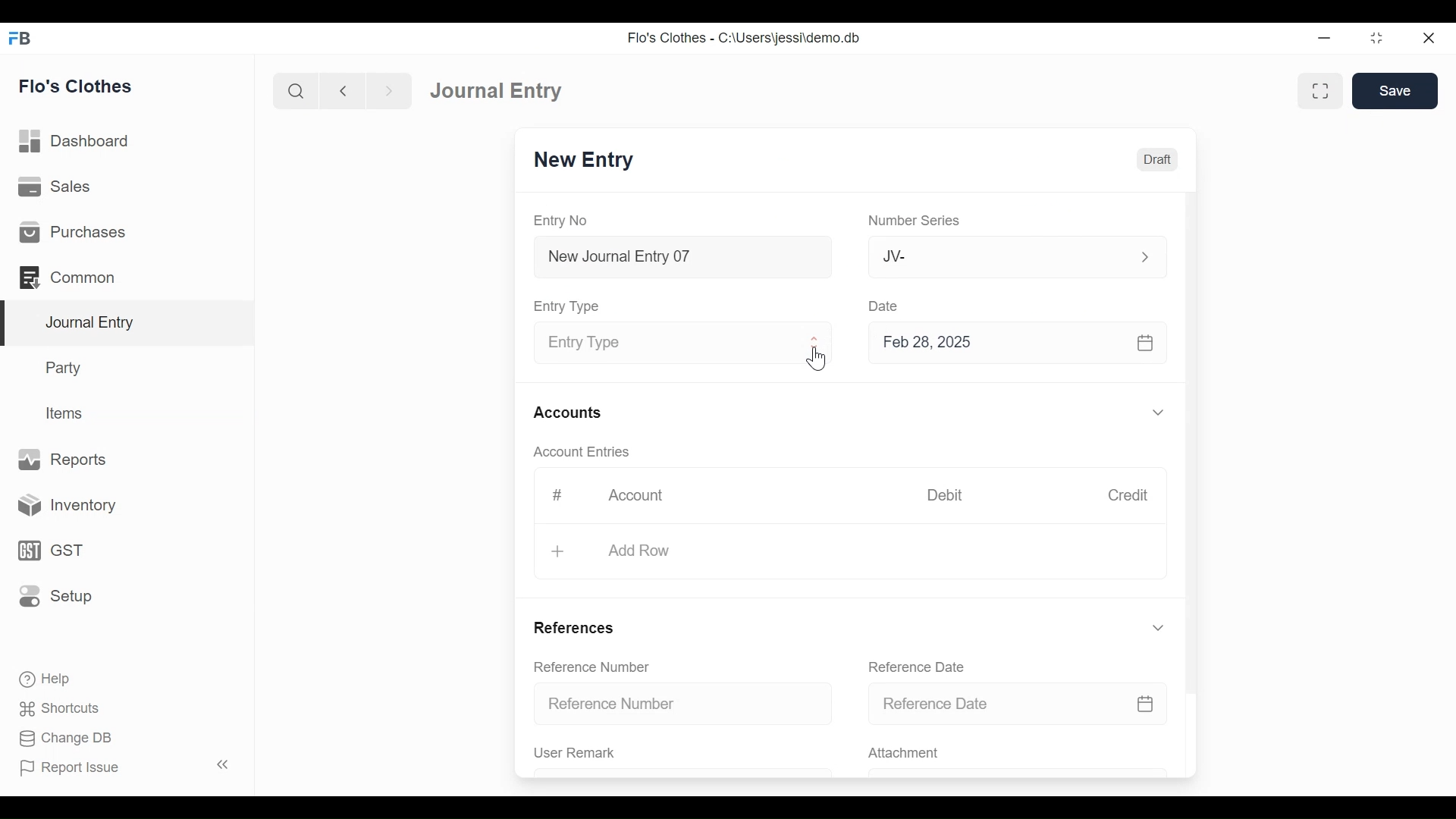  What do you see at coordinates (670, 344) in the screenshot?
I see `Entry Type` at bounding box center [670, 344].